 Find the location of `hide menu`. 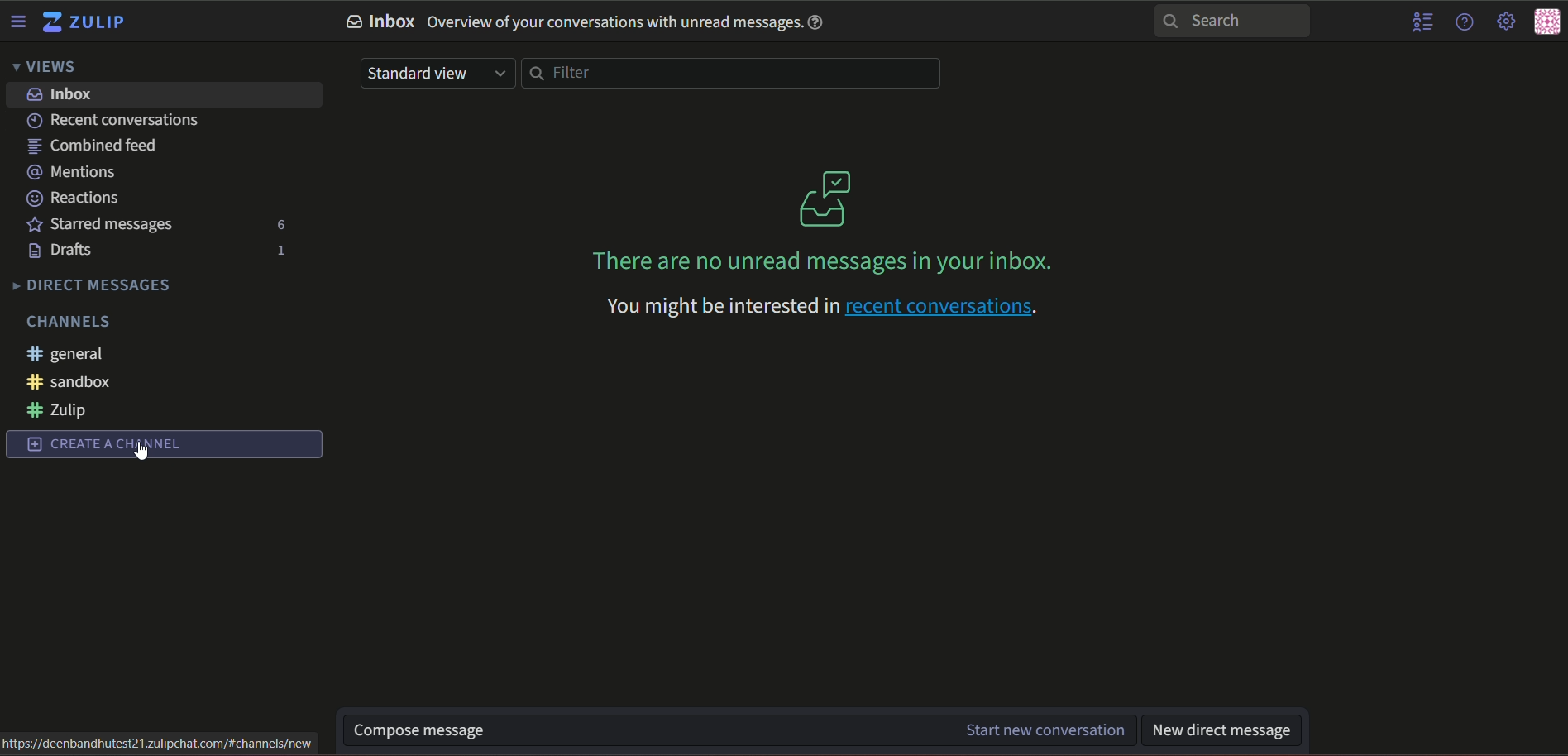

hide menu is located at coordinates (1421, 22).